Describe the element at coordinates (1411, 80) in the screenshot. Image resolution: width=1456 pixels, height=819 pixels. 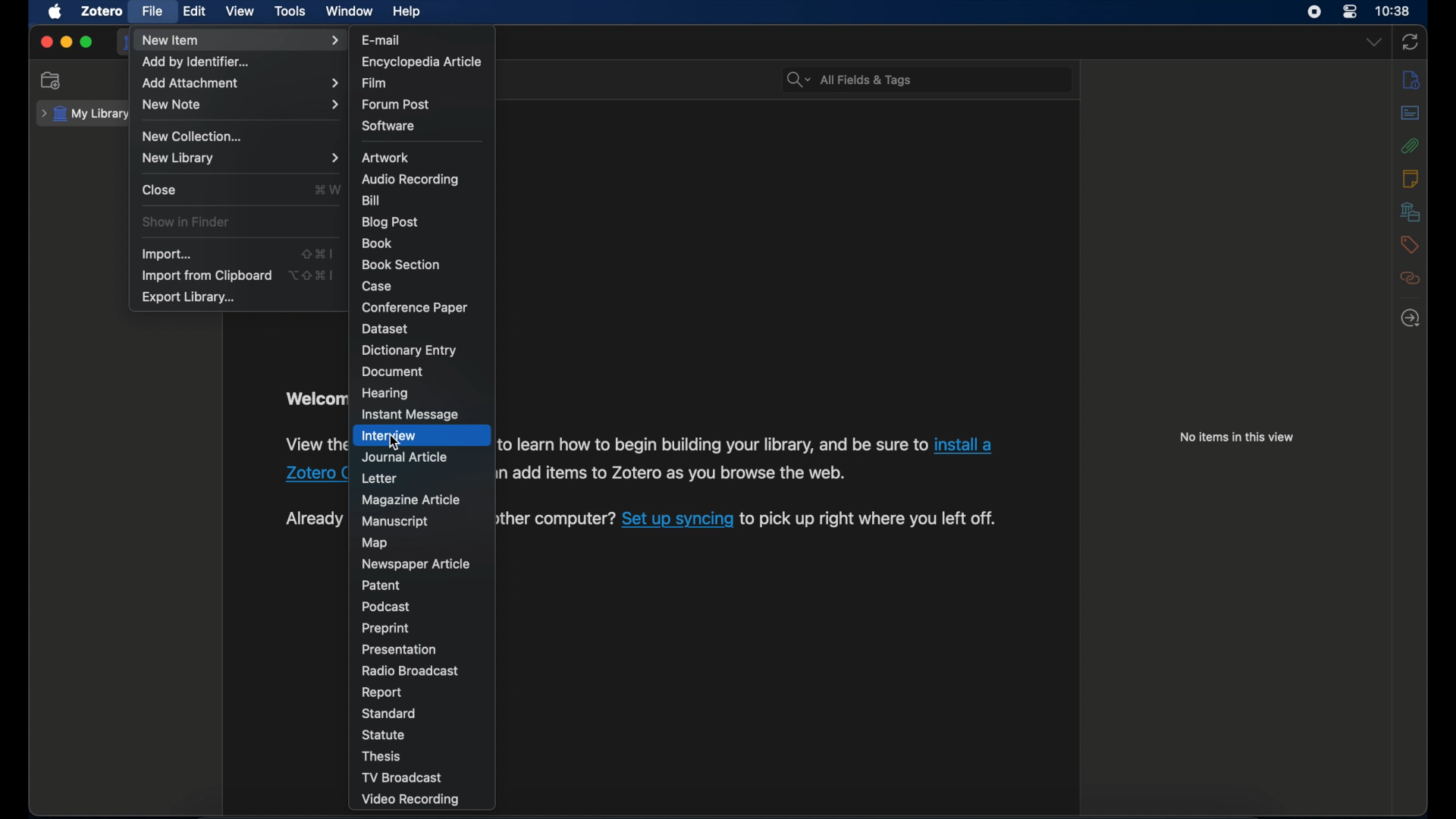
I see `info` at that location.